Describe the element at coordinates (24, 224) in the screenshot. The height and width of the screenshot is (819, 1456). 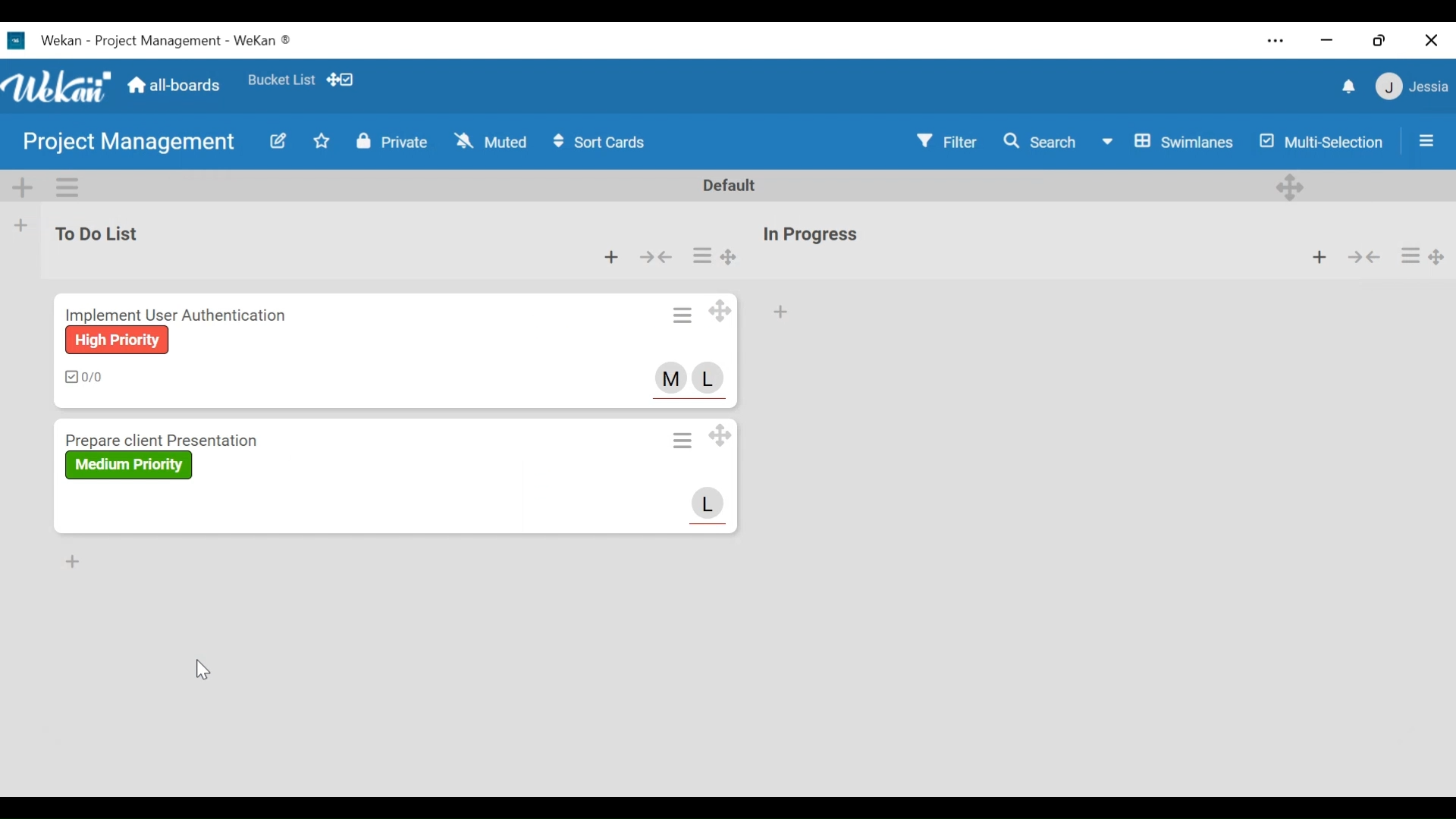
I see `Add card to the list` at that location.